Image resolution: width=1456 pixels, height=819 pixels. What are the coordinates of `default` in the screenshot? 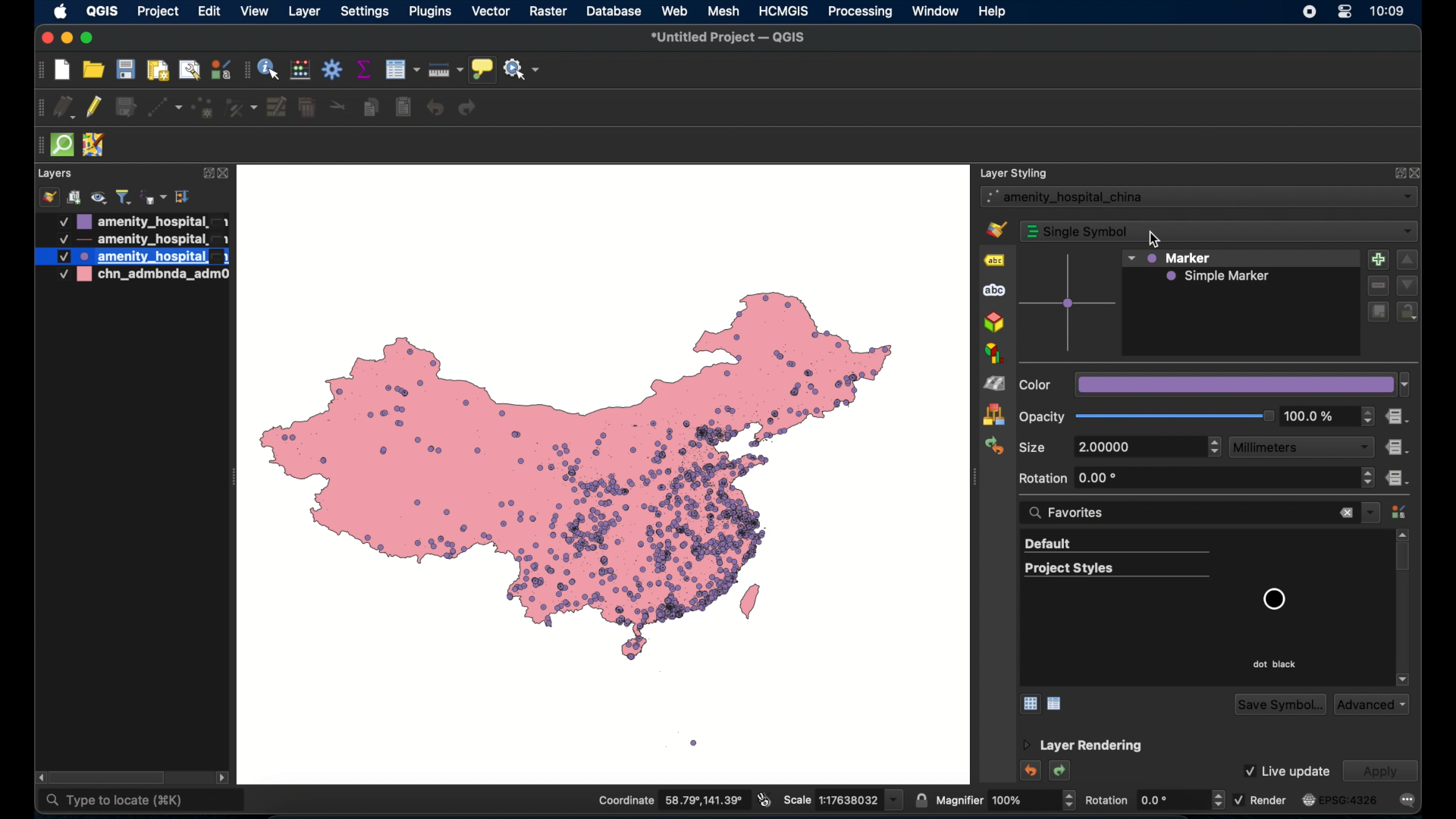 It's located at (1116, 545).